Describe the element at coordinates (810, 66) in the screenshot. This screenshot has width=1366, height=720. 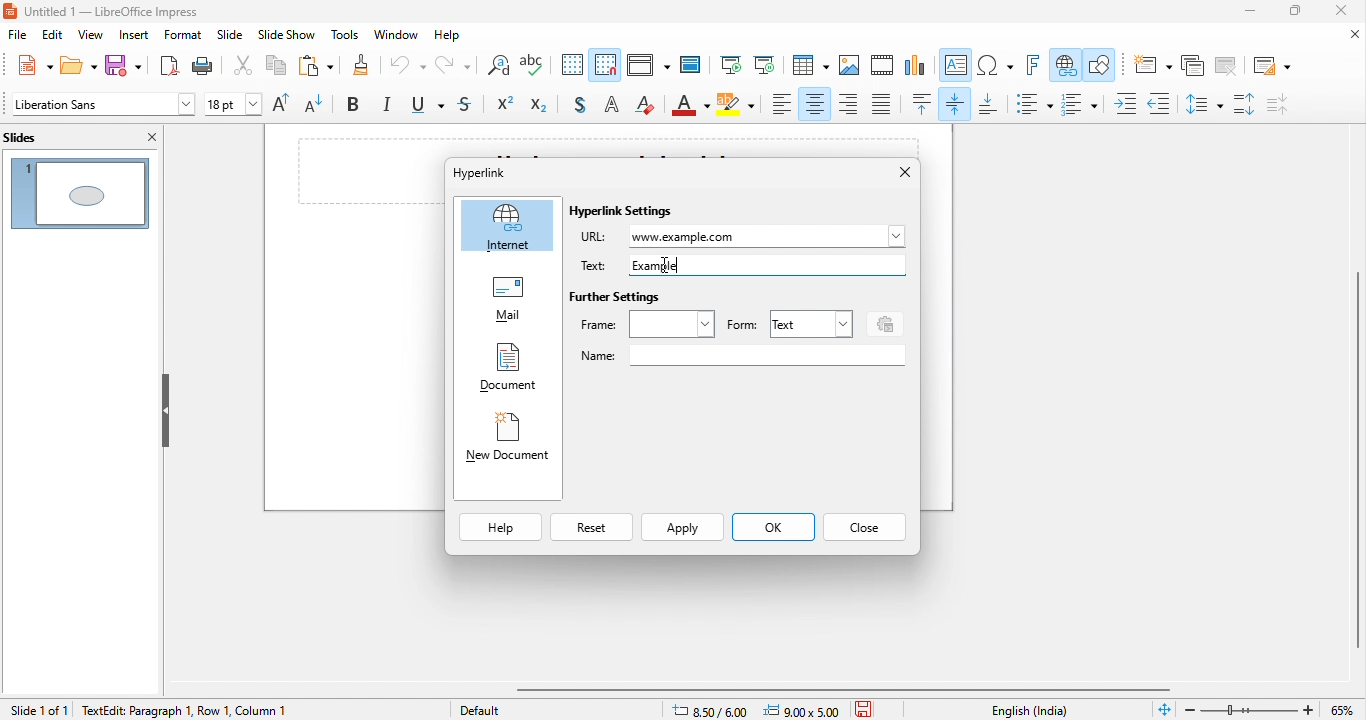
I see `table` at that location.